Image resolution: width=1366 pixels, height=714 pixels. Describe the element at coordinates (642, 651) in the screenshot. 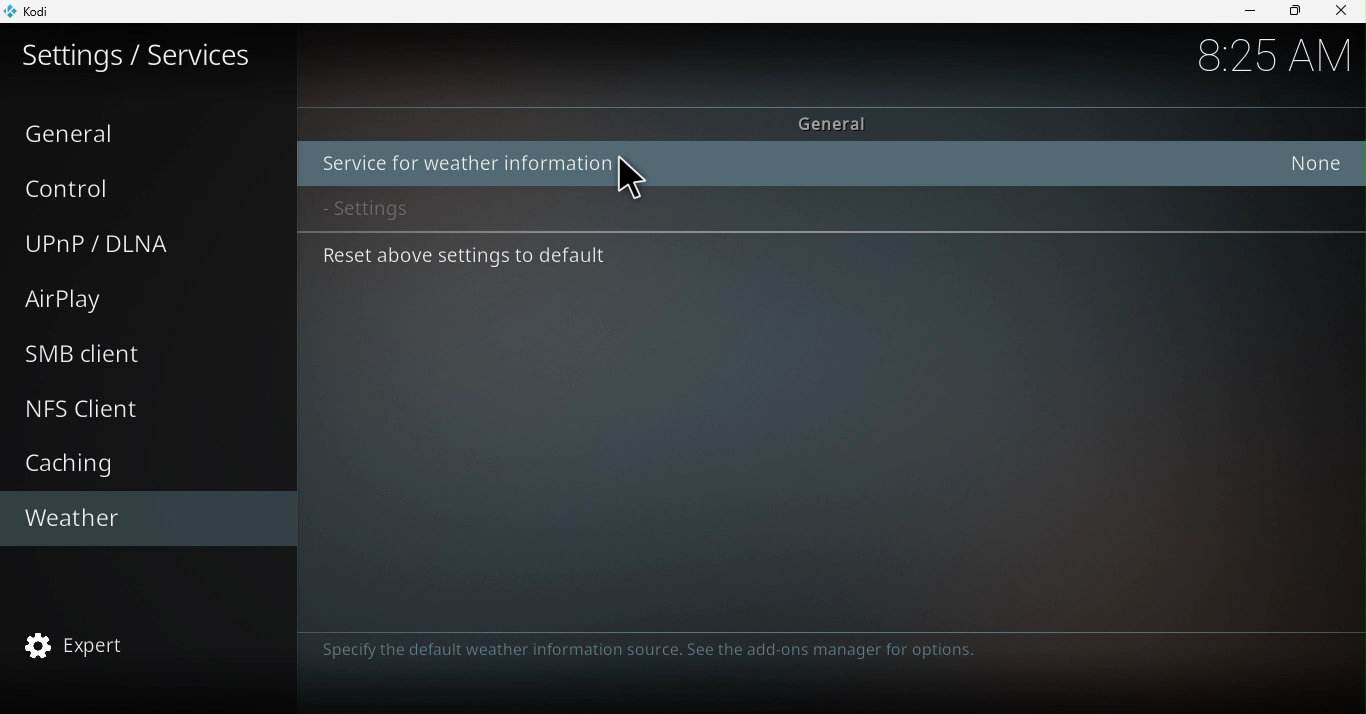

I see `Specify the default weather information source. See the add-ons manager for options.` at that location.